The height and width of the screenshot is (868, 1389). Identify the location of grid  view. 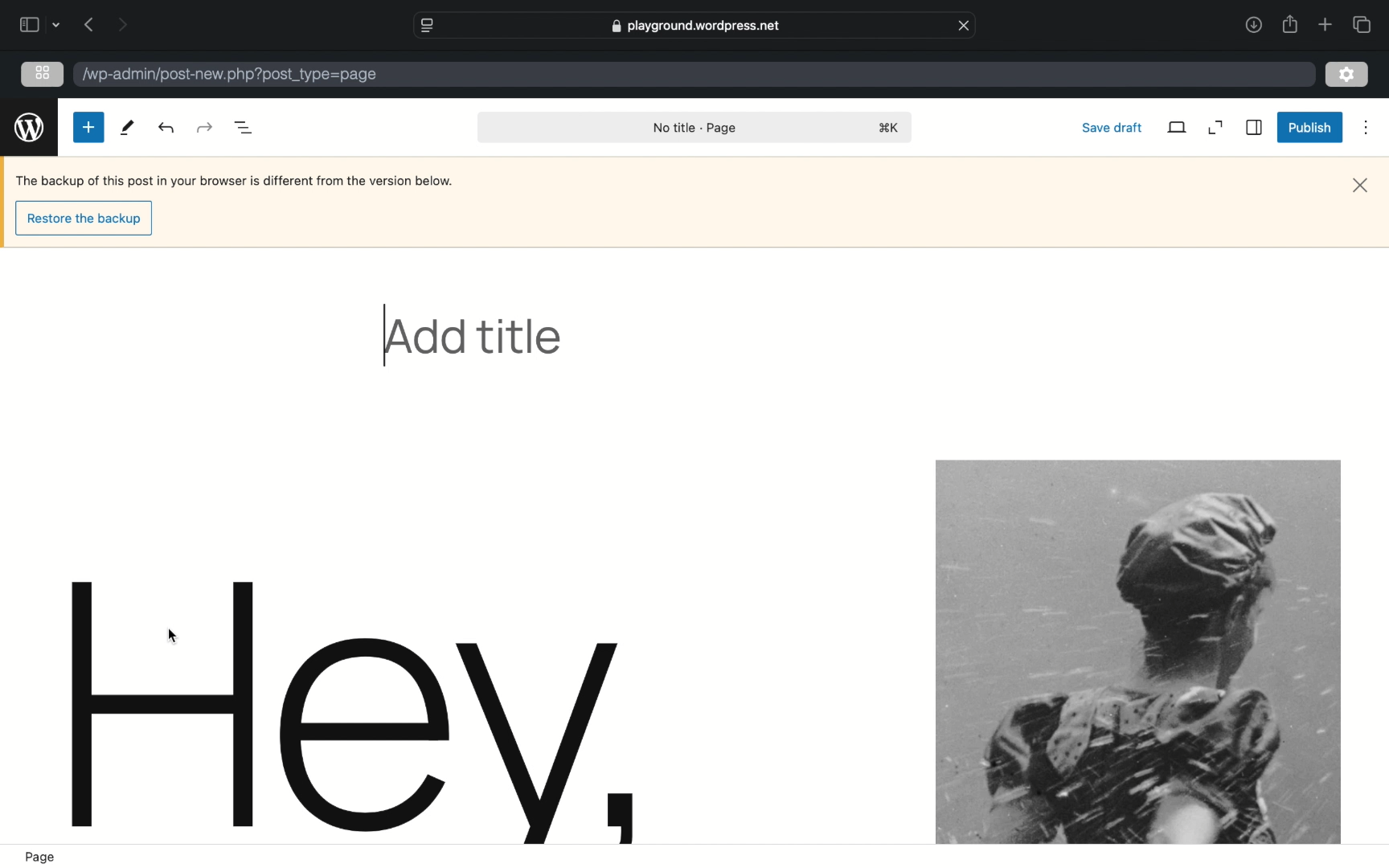
(43, 72).